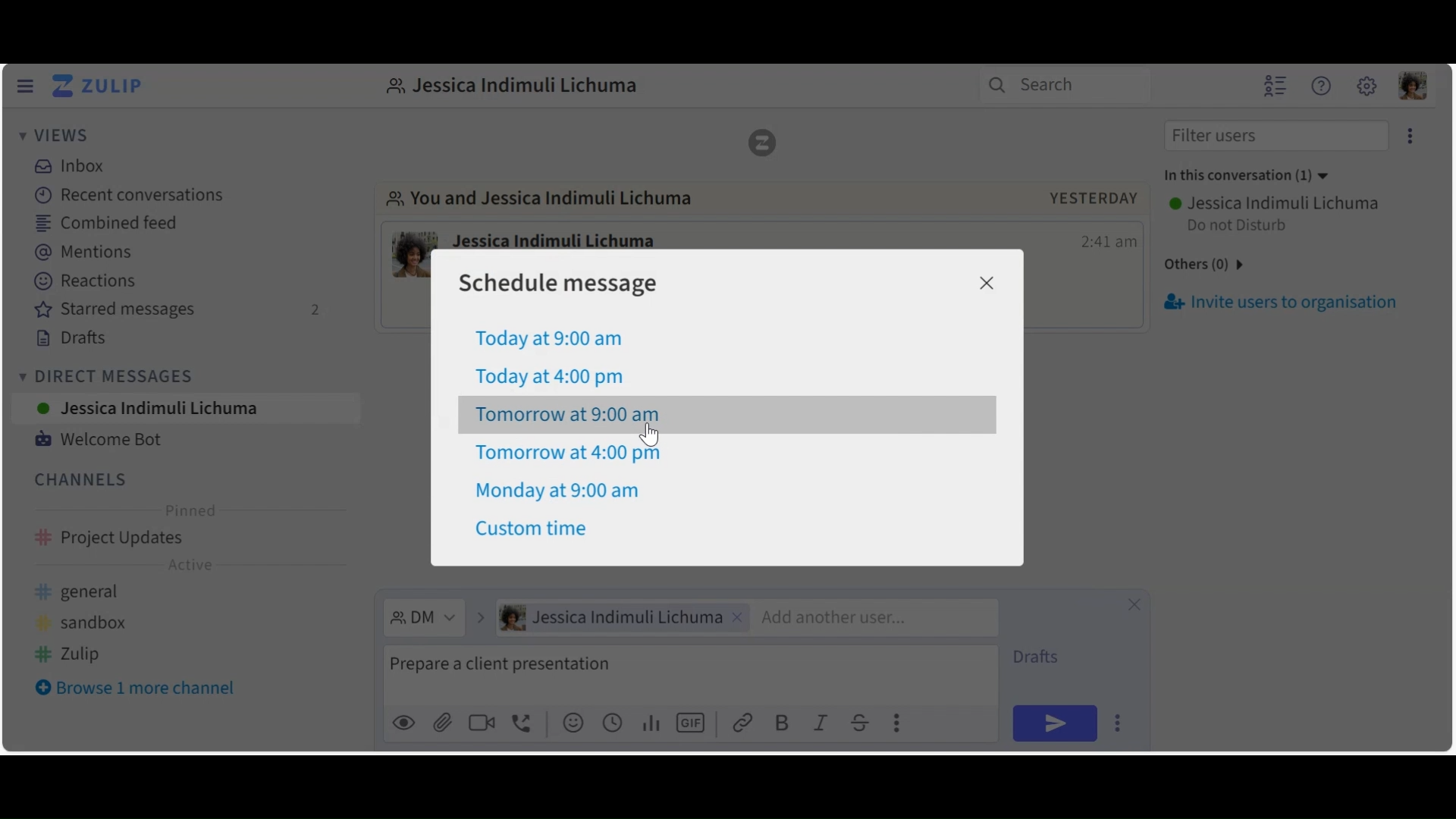 This screenshot has height=819, width=1456. I want to click on cursor, so click(650, 437).